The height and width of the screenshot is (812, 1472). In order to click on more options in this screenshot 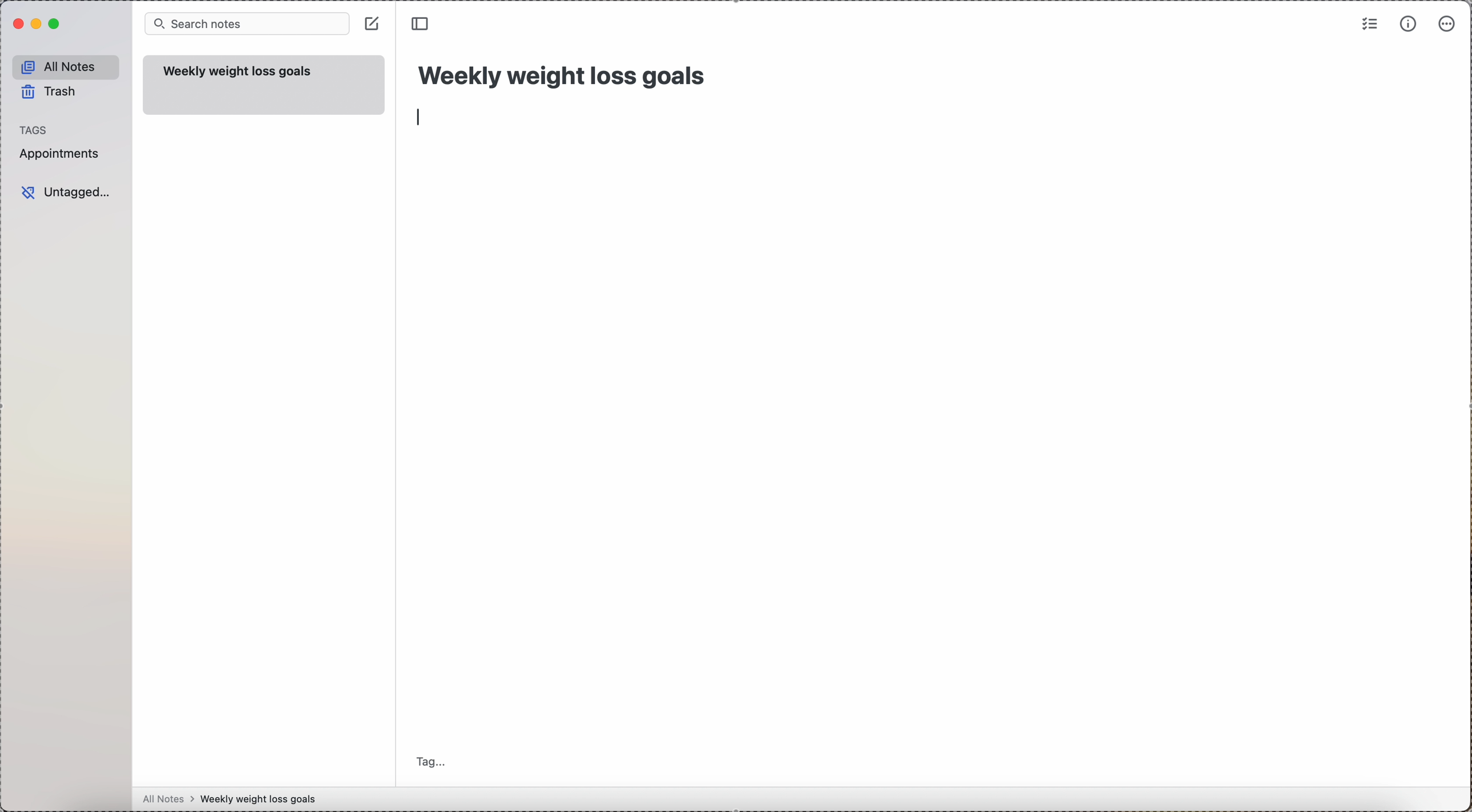, I will do `click(1449, 23)`.